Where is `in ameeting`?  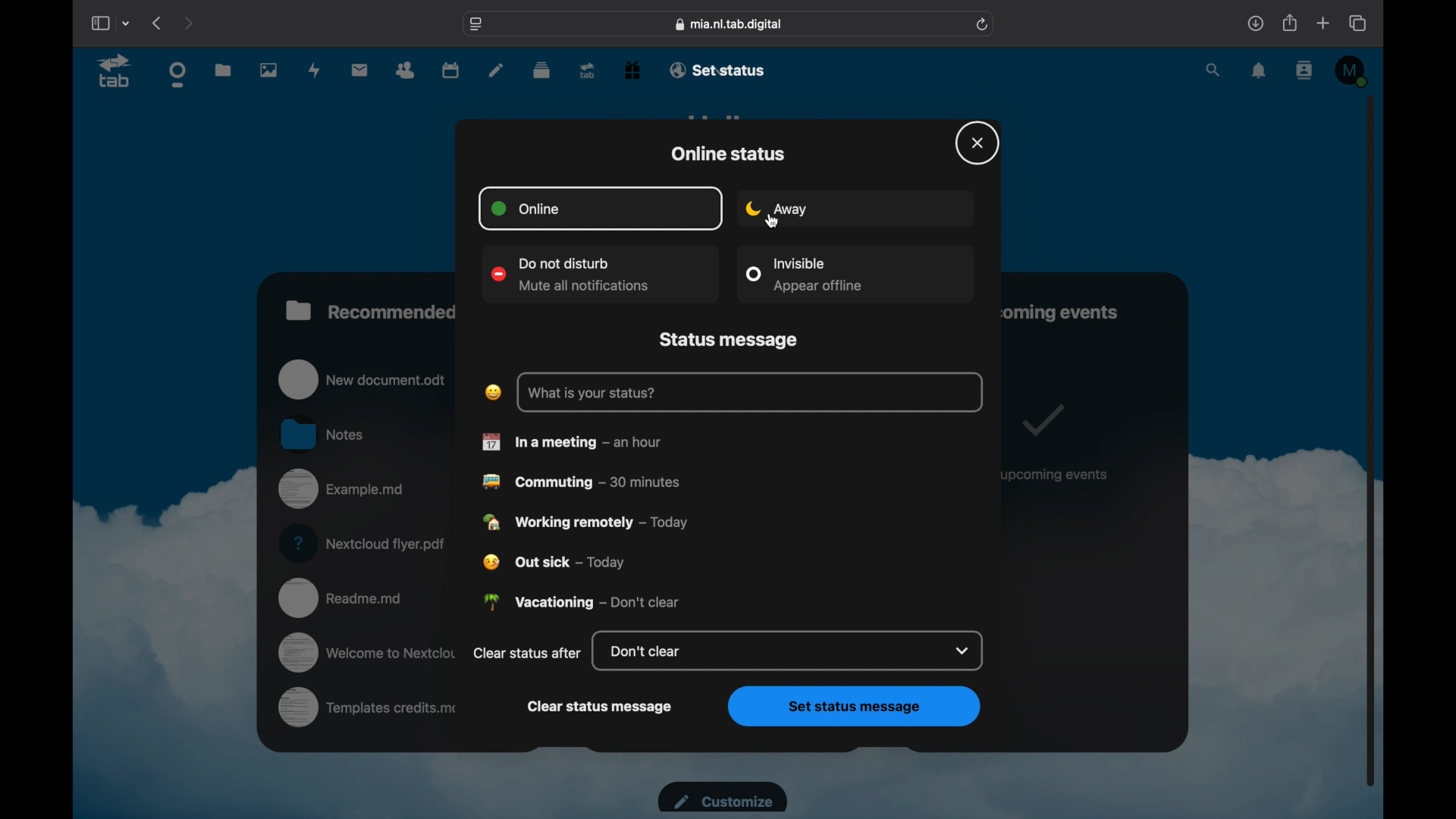
in ameeting is located at coordinates (572, 442).